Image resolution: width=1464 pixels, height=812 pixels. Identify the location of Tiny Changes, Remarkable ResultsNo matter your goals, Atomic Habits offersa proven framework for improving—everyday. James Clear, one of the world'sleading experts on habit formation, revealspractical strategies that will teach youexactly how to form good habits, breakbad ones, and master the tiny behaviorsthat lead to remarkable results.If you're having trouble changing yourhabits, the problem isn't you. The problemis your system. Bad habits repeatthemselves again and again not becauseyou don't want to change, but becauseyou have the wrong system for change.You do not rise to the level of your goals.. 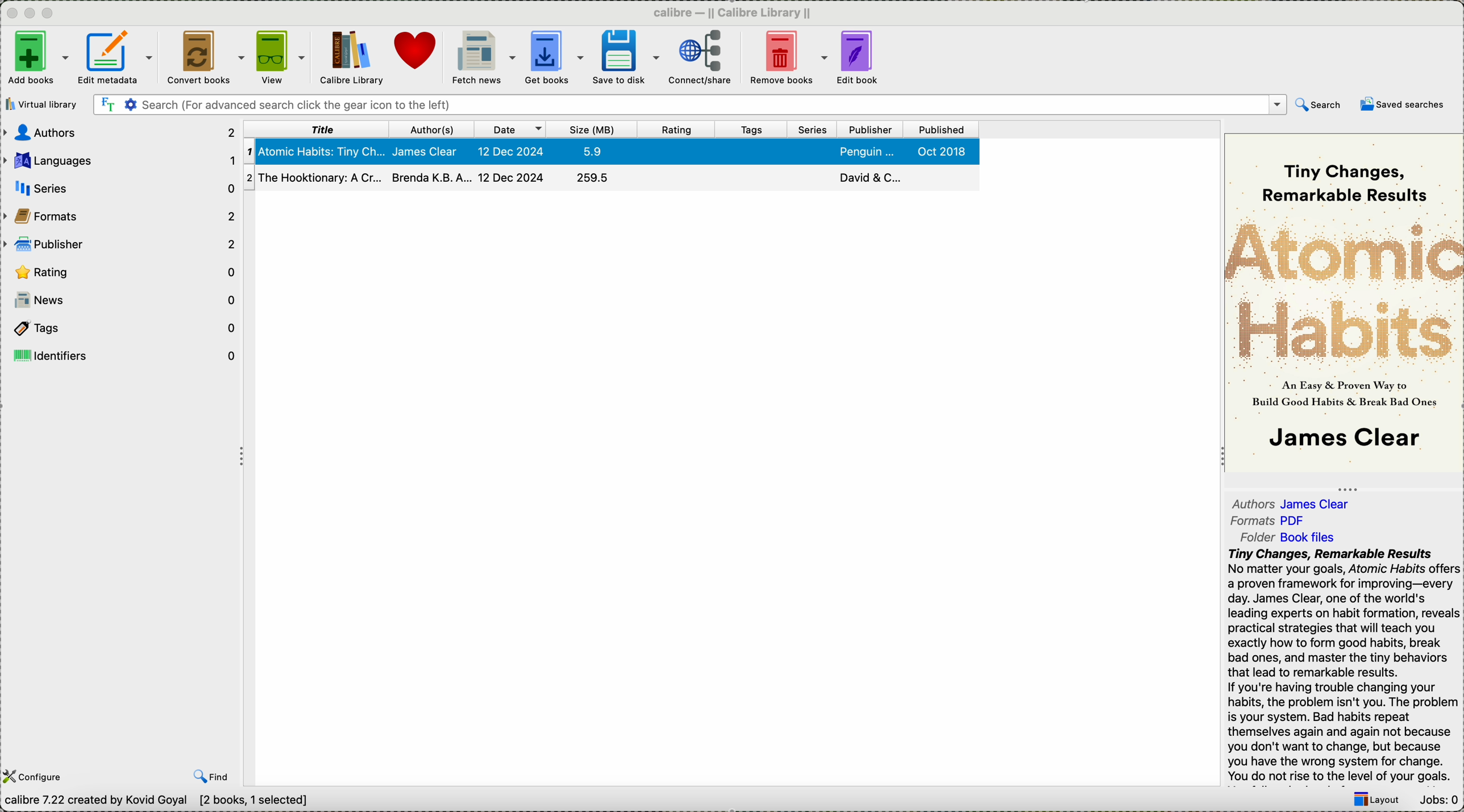
(1339, 665).